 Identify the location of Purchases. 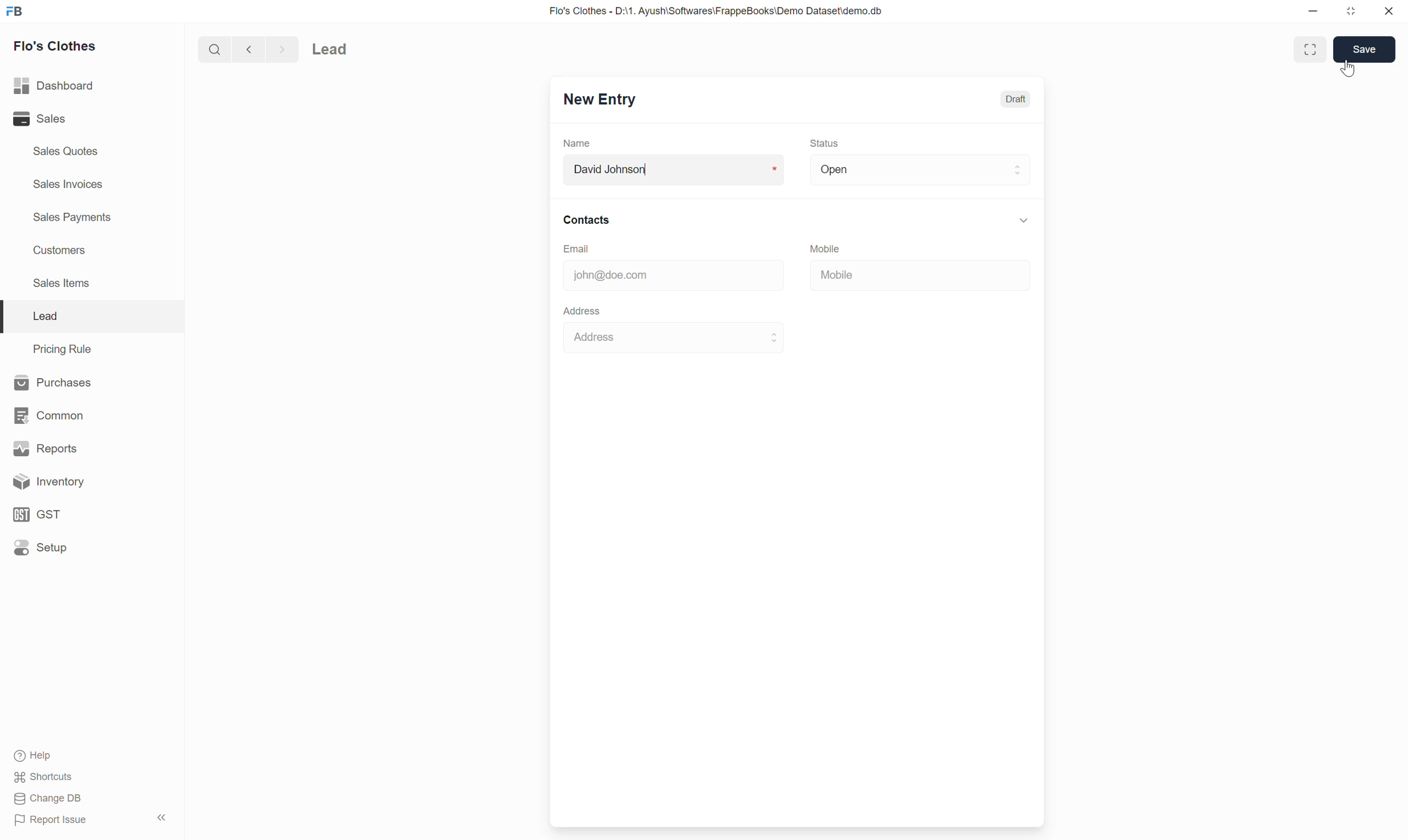
(53, 382).